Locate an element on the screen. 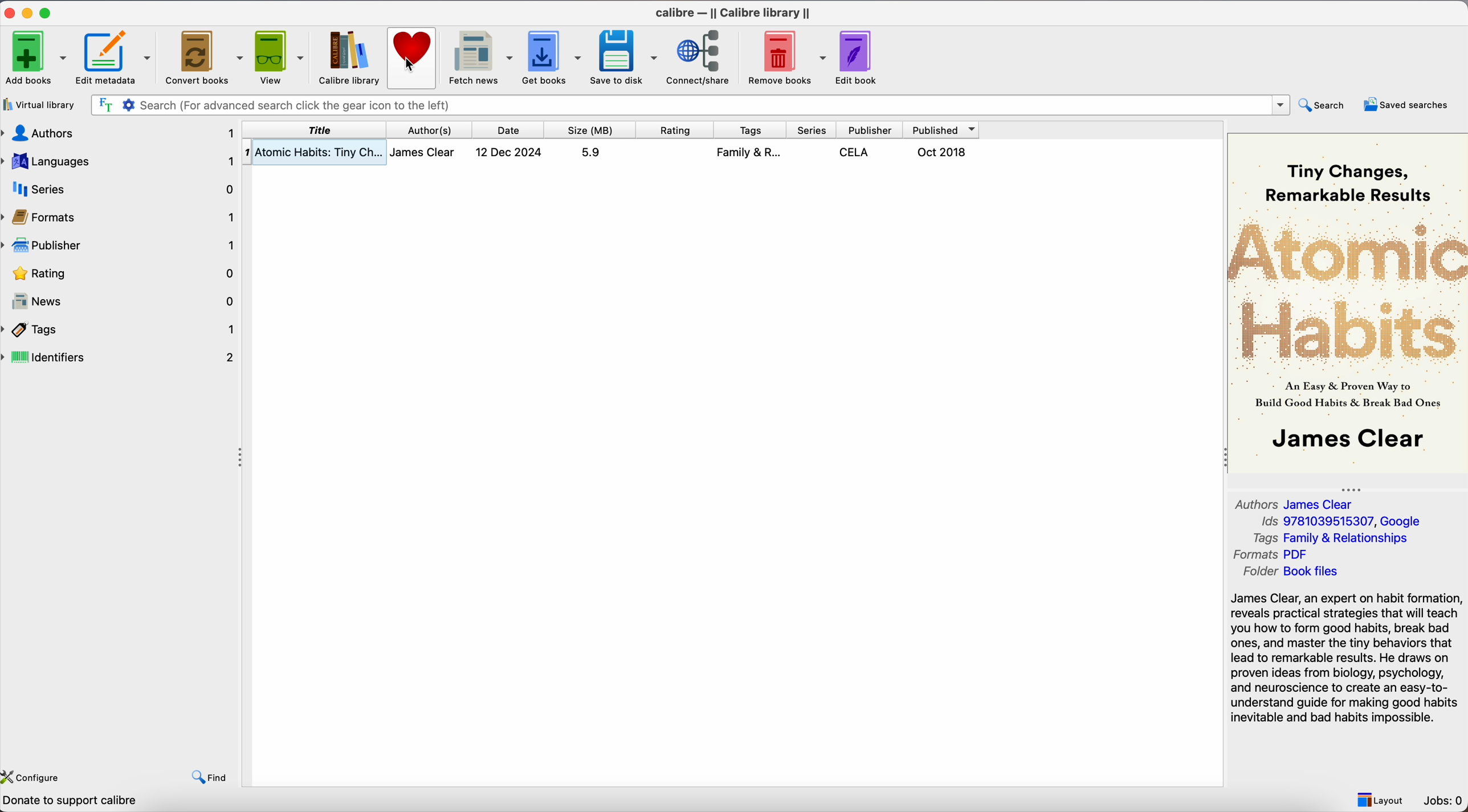 Image resolution: width=1468 pixels, height=812 pixels. rating is located at coordinates (121, 273).